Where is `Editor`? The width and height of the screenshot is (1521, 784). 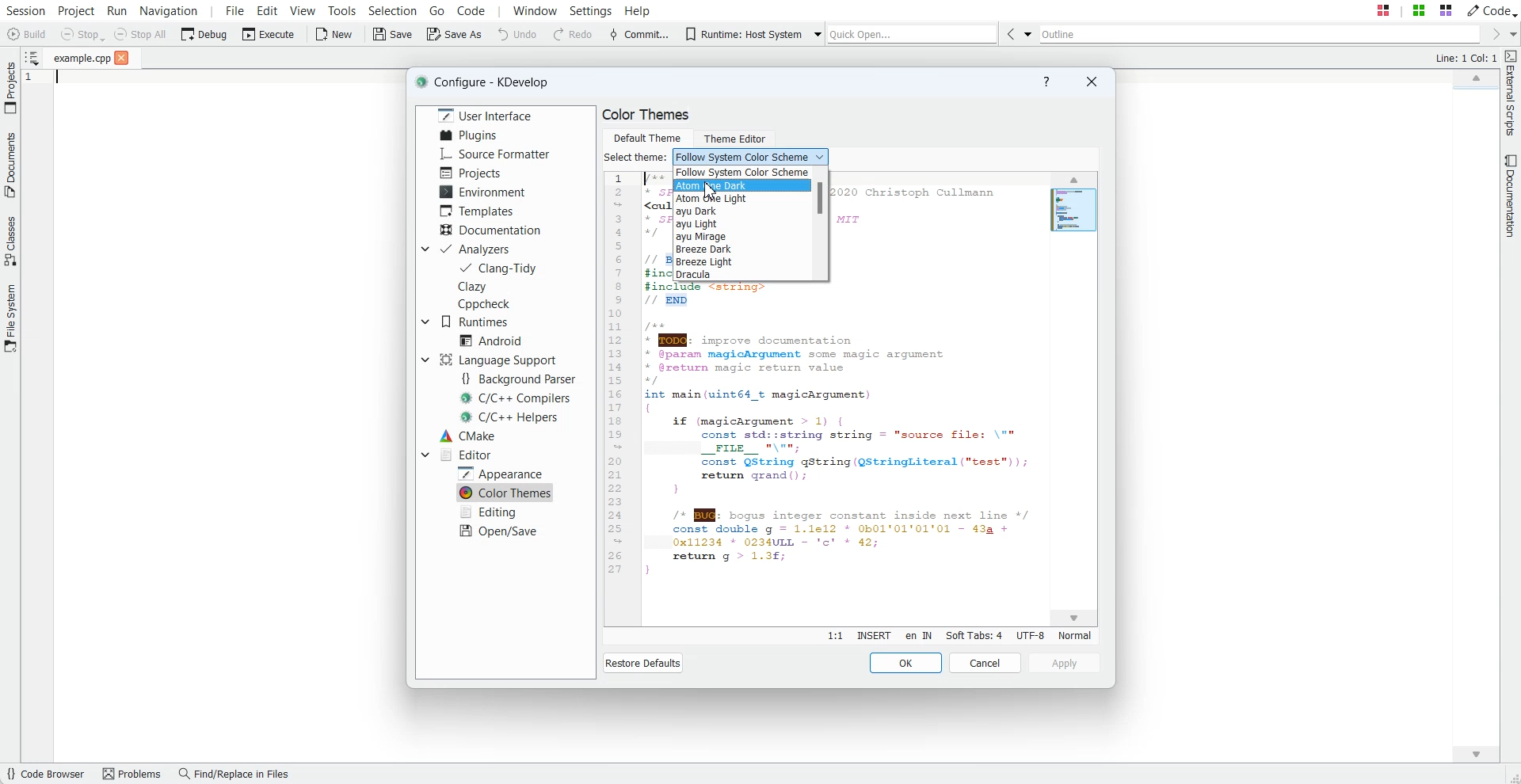 Editor is located at coordinates (467, 455).